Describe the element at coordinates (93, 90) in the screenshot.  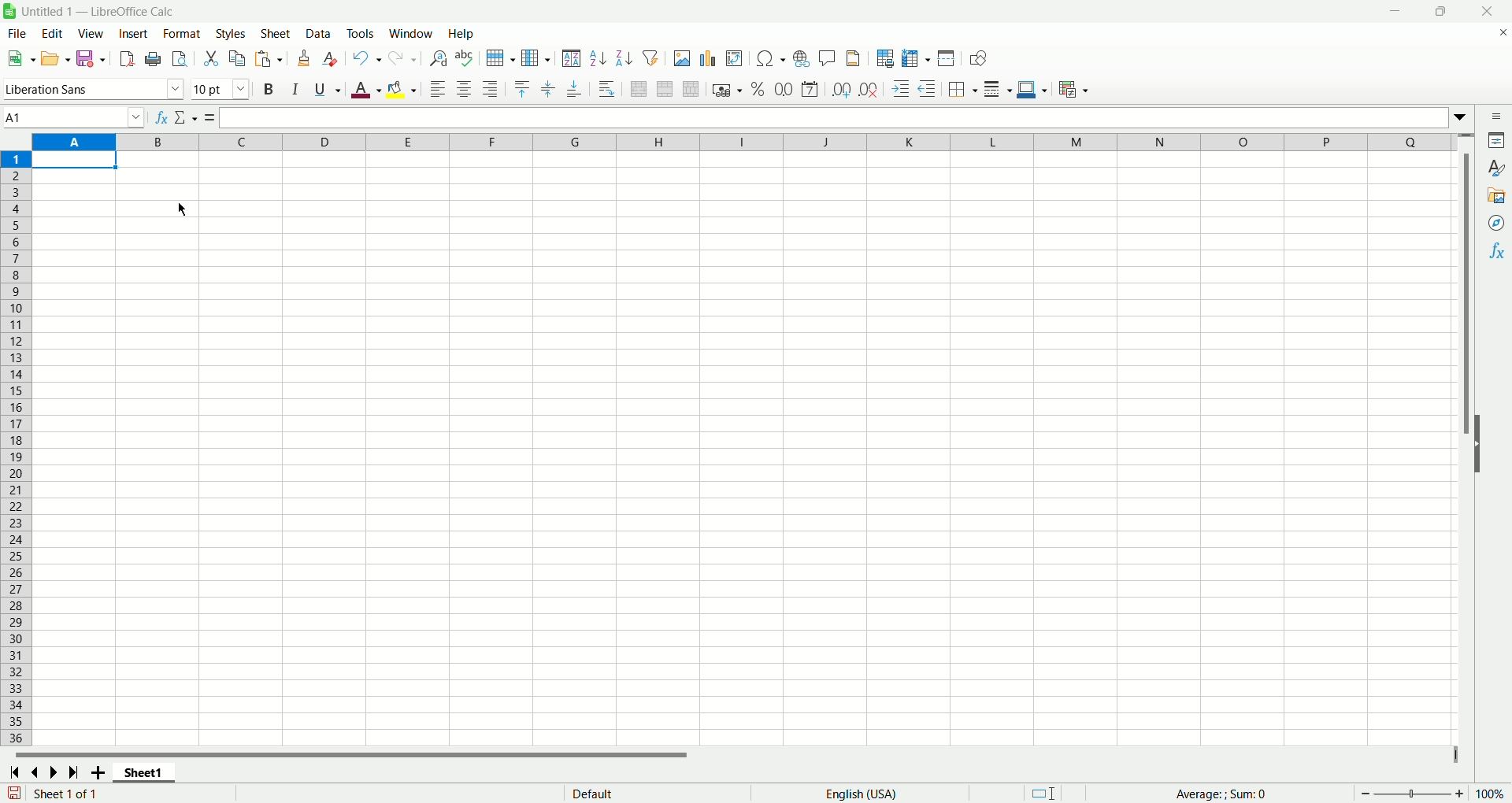
I see `font name` at that location.